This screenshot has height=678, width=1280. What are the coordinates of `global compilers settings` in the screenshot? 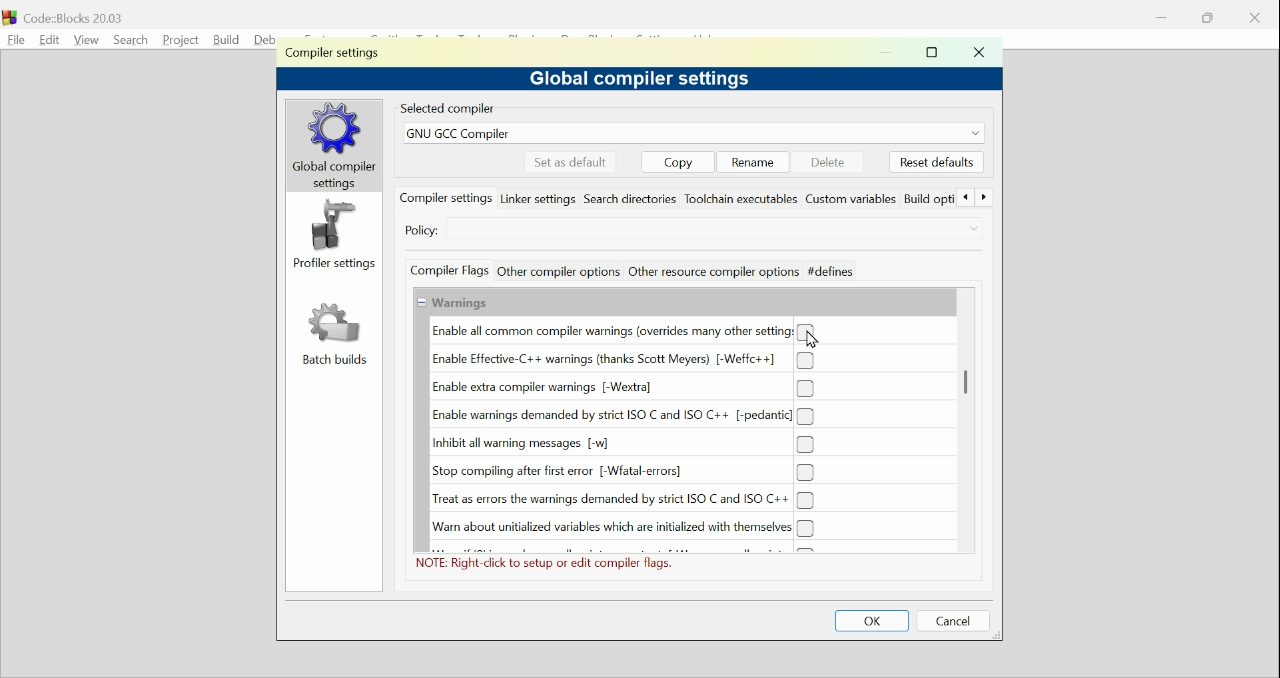 It's located at (336, 146).